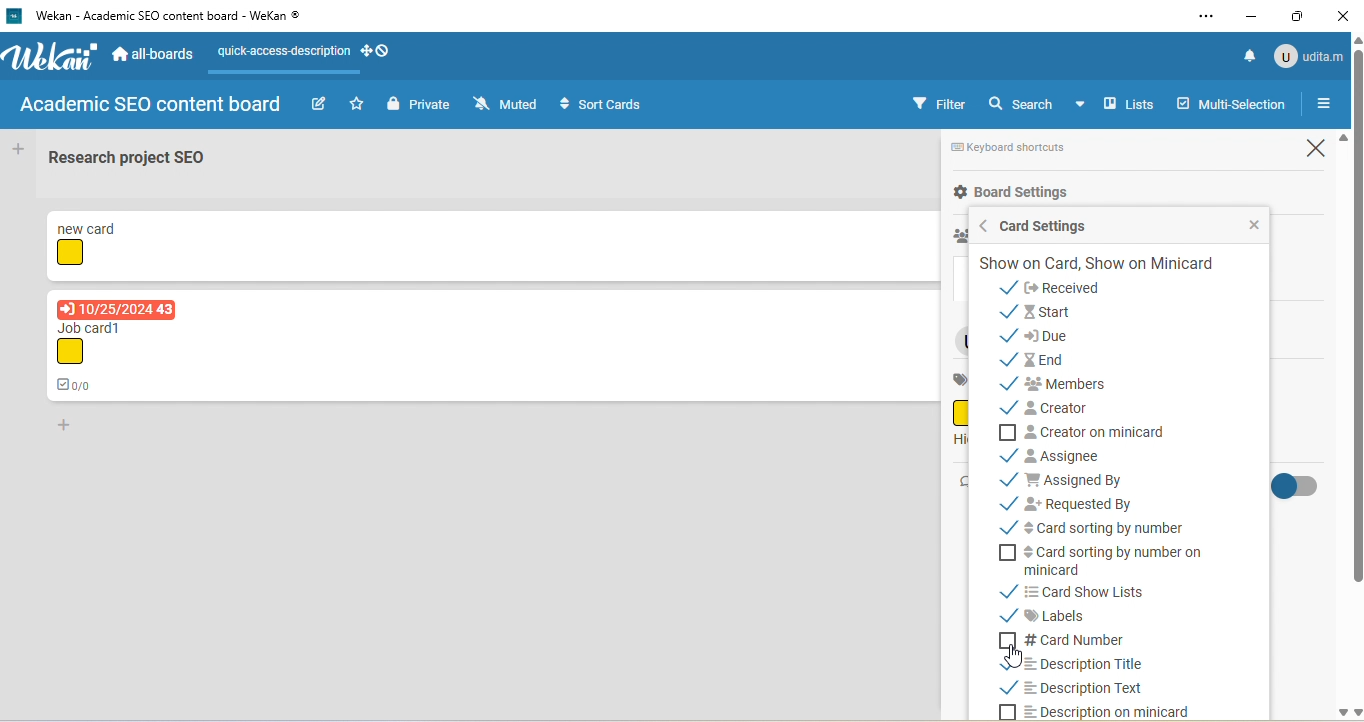 This screenshot has width=1364, height=722. I want to click on card settings, so click(1052, 226).